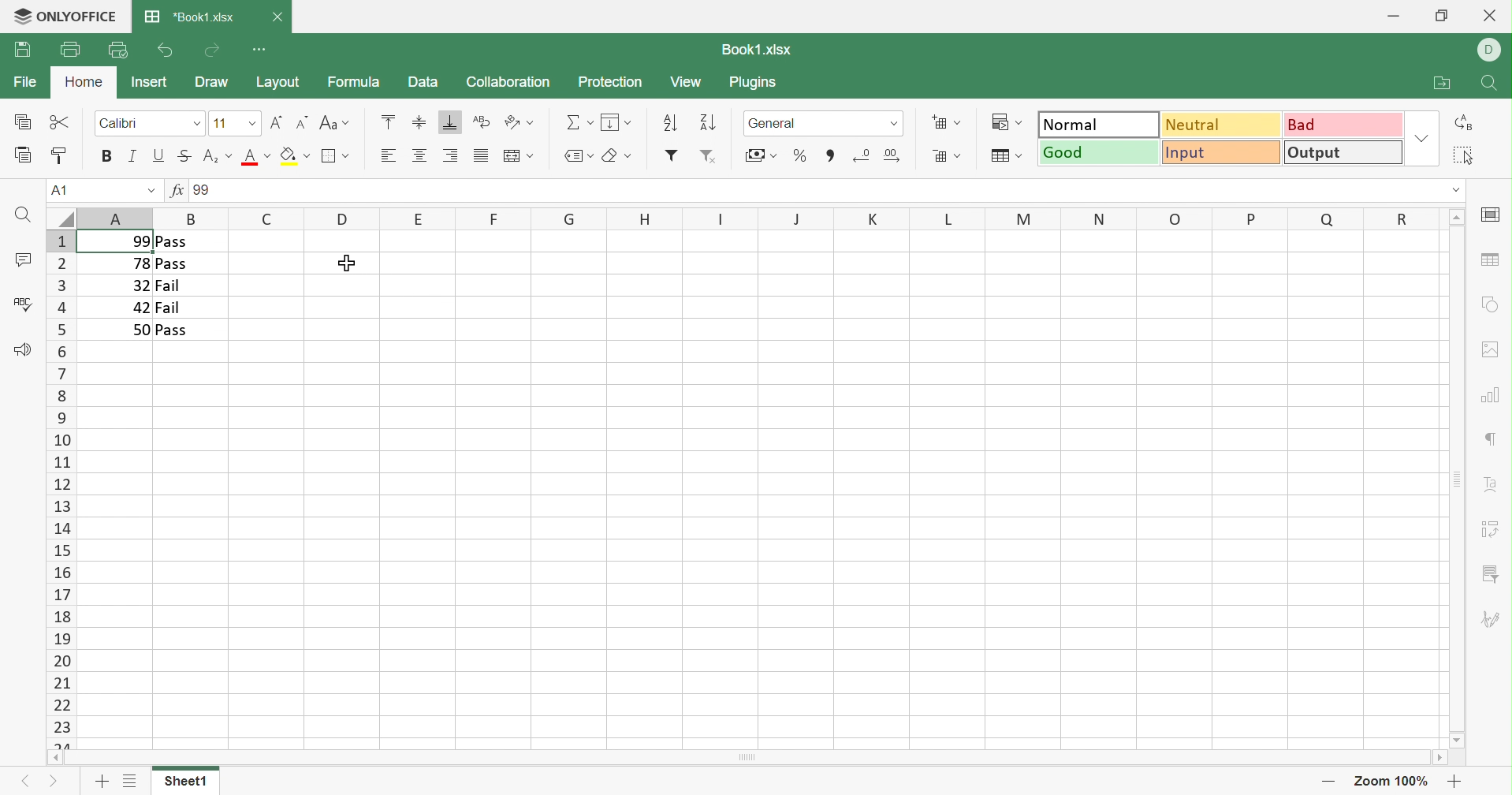 The width and height of the screenshot is (1512, 795). Describe the element at coordinates (184, 155) in the screenshot. I see `Strikethrough` at that location.